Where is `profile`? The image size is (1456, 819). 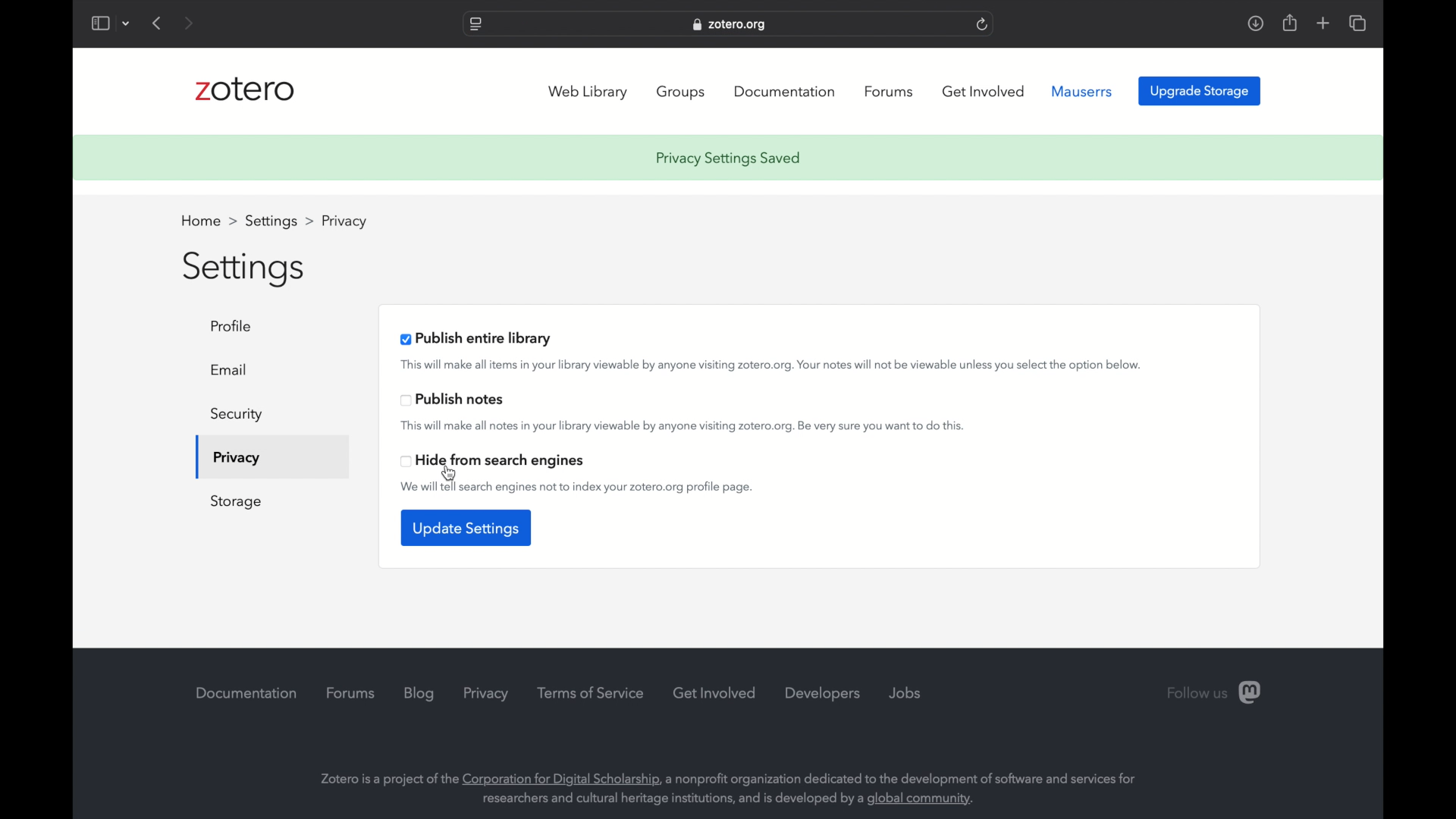
profile is located at coordinates (231, 325).